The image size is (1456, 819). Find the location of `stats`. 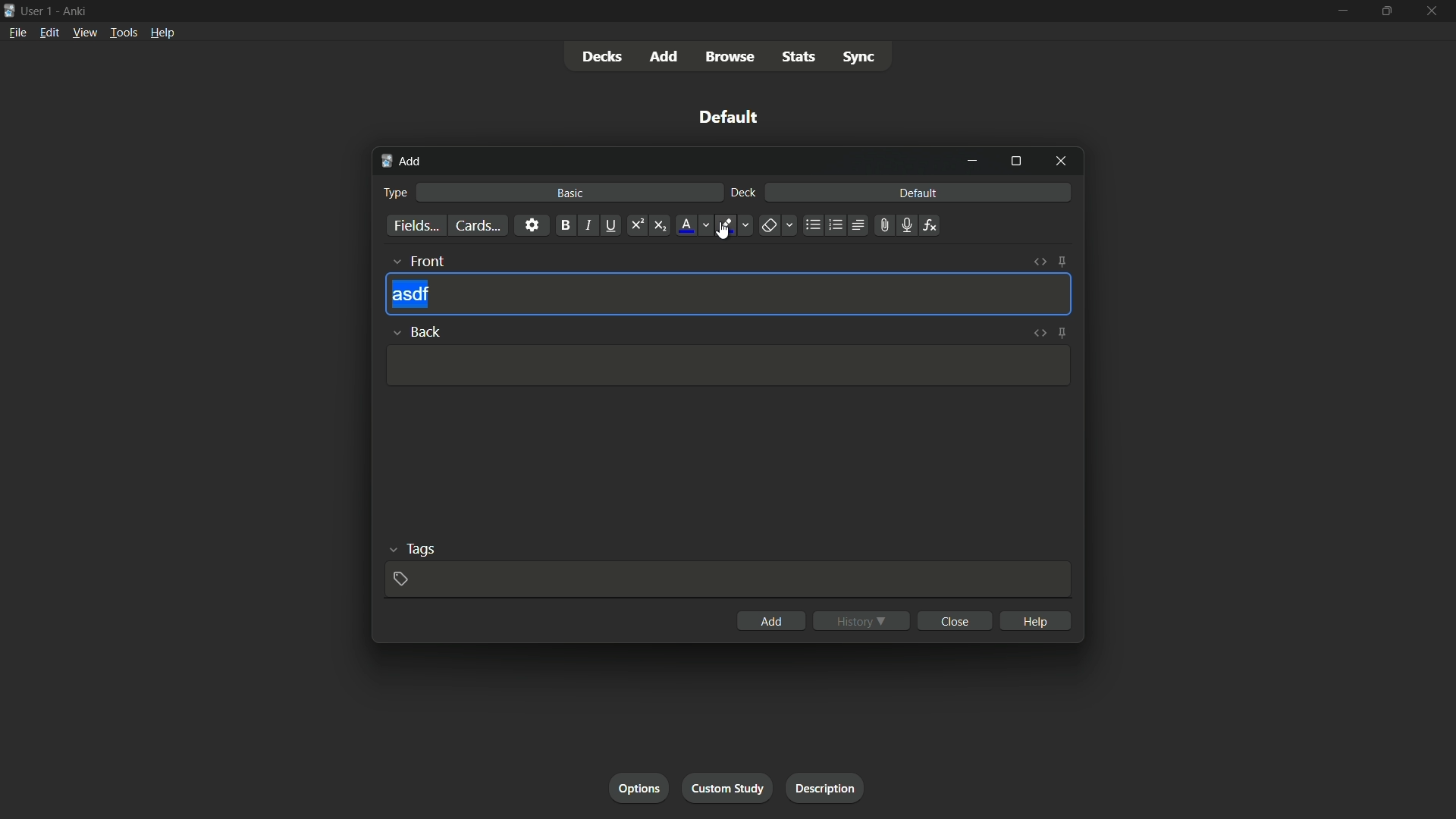

stats is located at coordinates (799, 58).